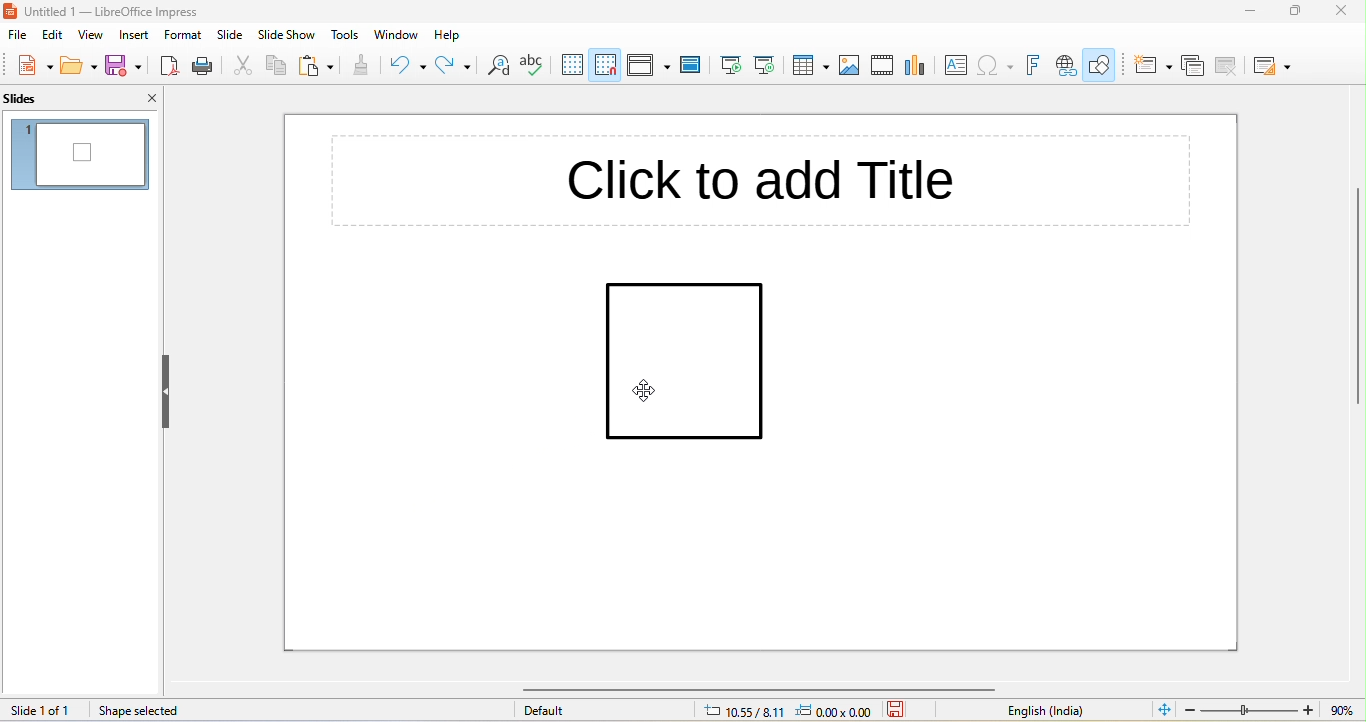 Image resolution: width=1366 pixels, height=722 pixels. Describe the element at coordinates (346, 34) in the screenshot. I see `tools` at that location.